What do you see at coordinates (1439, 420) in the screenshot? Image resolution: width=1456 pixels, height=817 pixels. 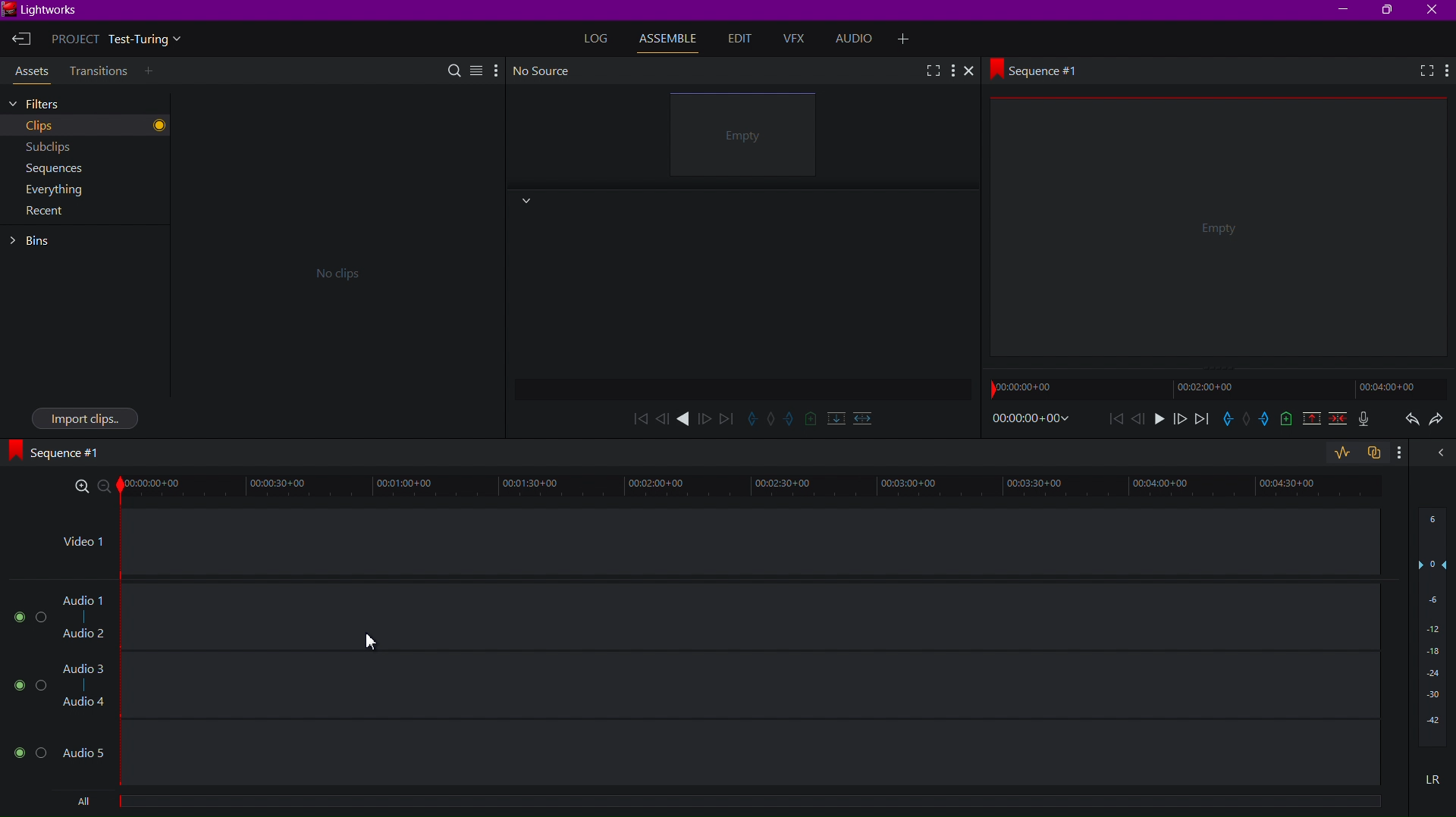 I see `Redo` at bounding box center [1439, 420].